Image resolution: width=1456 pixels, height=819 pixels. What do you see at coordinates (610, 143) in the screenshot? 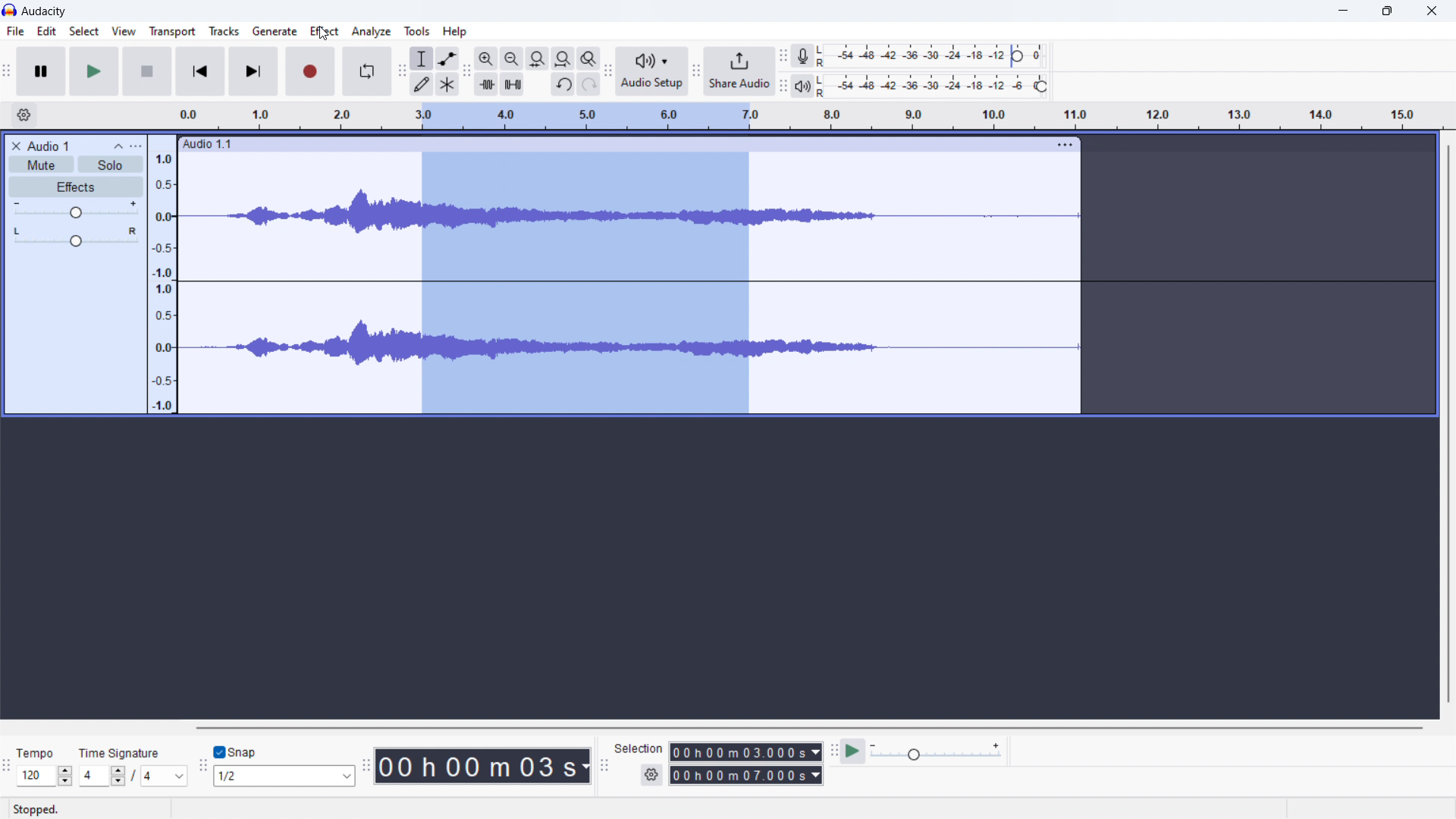
I see `Audio 1.1` at bounding box center [610, 143].